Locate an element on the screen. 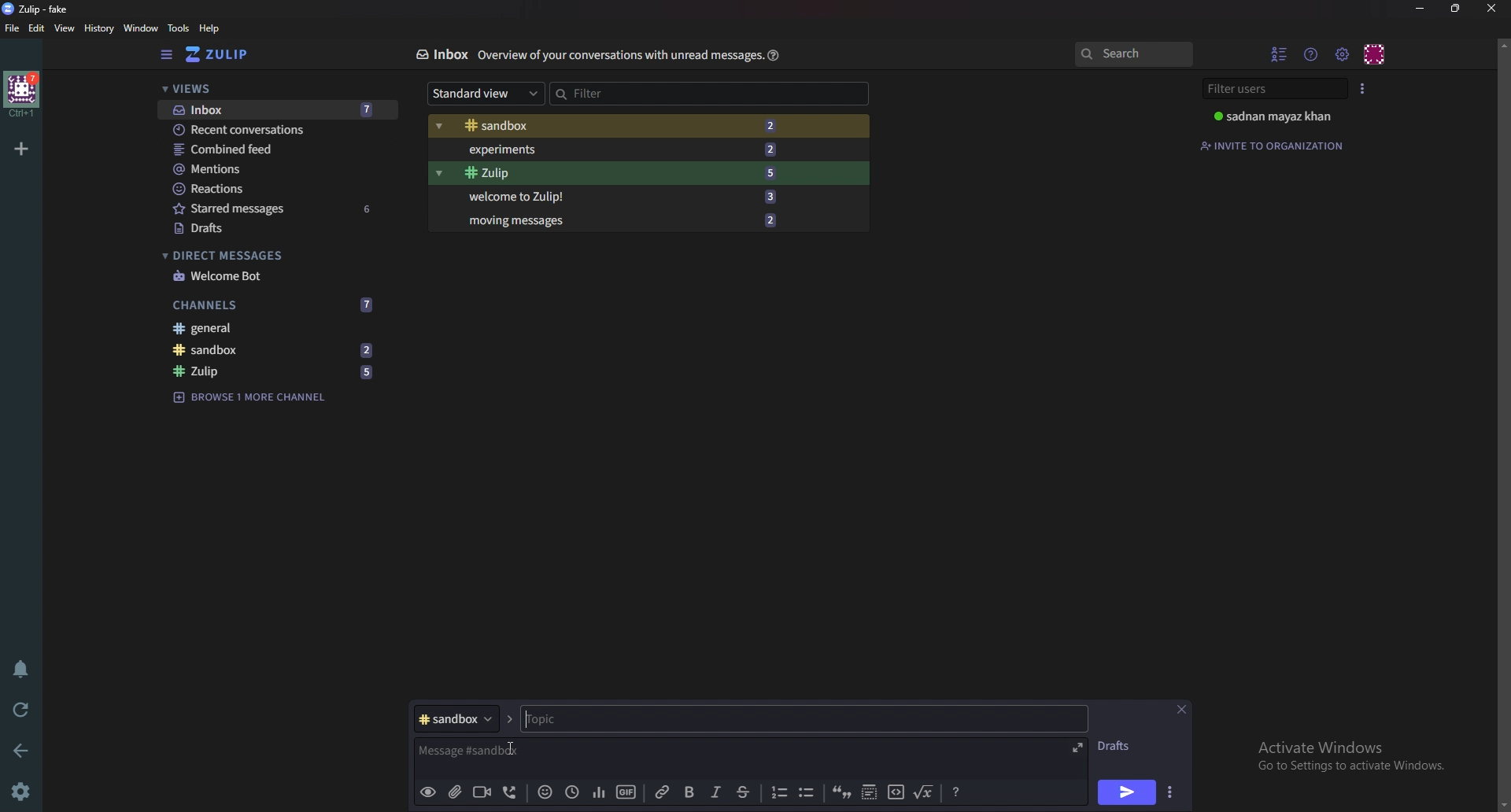  Emoji is located at coordinates (545, 791).